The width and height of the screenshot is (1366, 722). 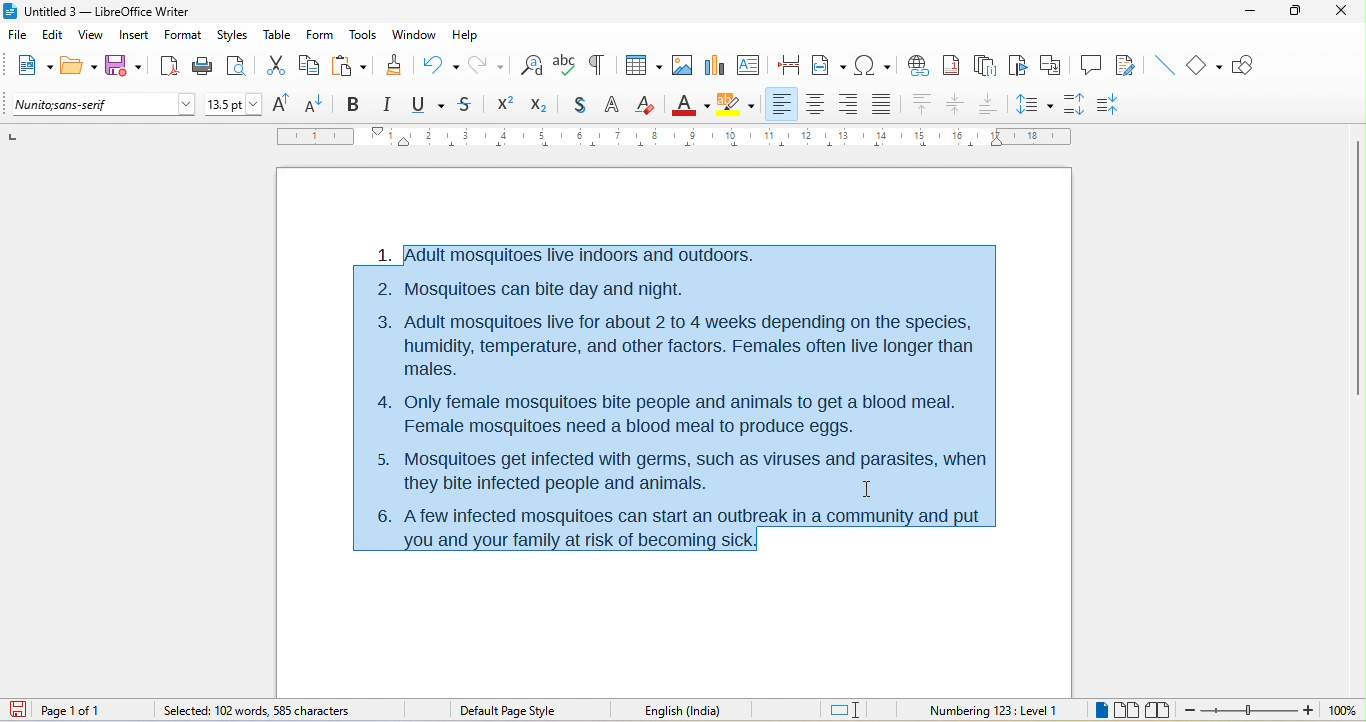 What do you see at coordinates (278, 36) in the screenshot?
I see `table` at bounding box center [278, 36].